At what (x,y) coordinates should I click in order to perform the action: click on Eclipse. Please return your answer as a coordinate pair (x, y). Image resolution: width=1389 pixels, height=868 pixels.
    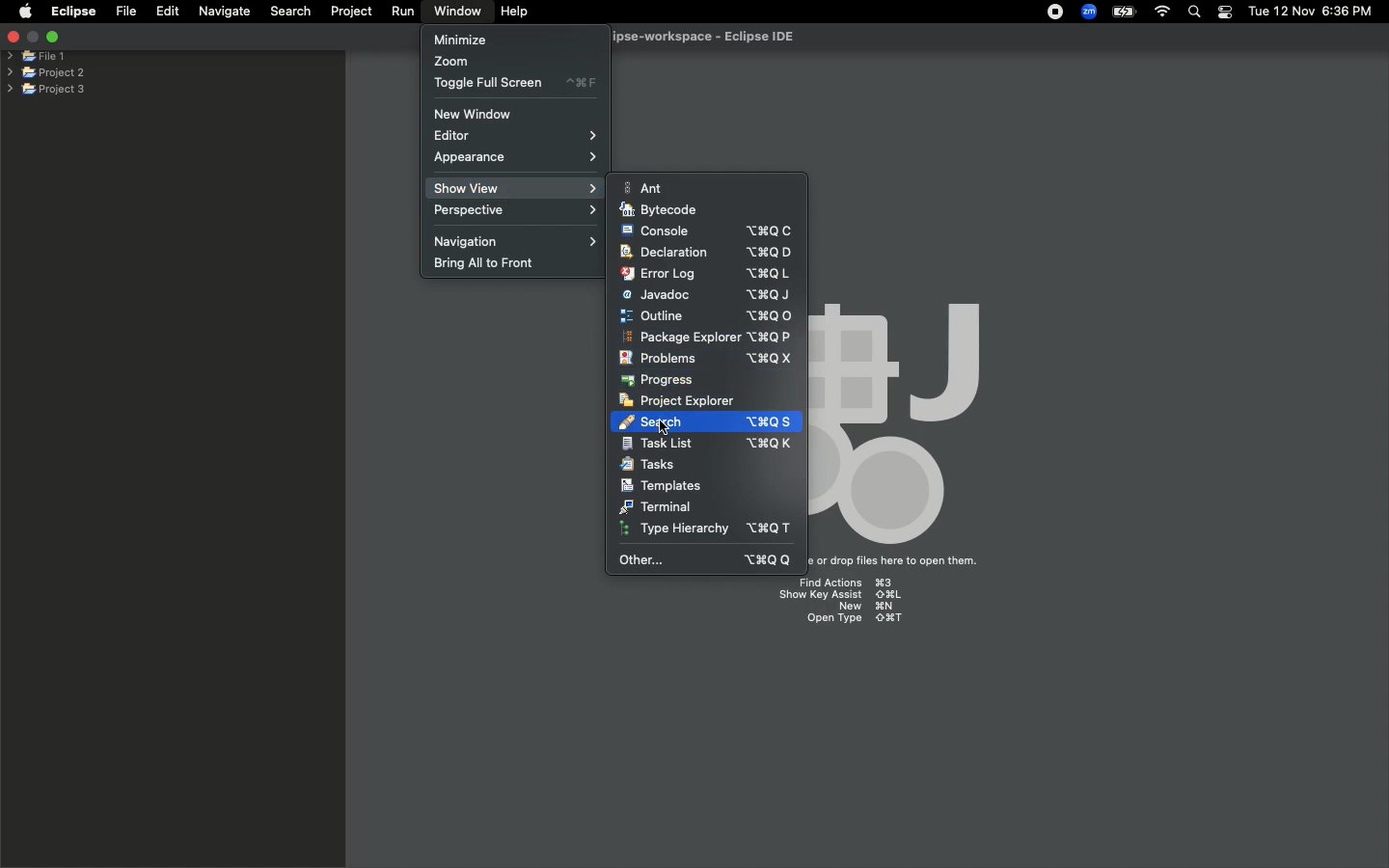
    Looking at the image, I should click on (72, 12).